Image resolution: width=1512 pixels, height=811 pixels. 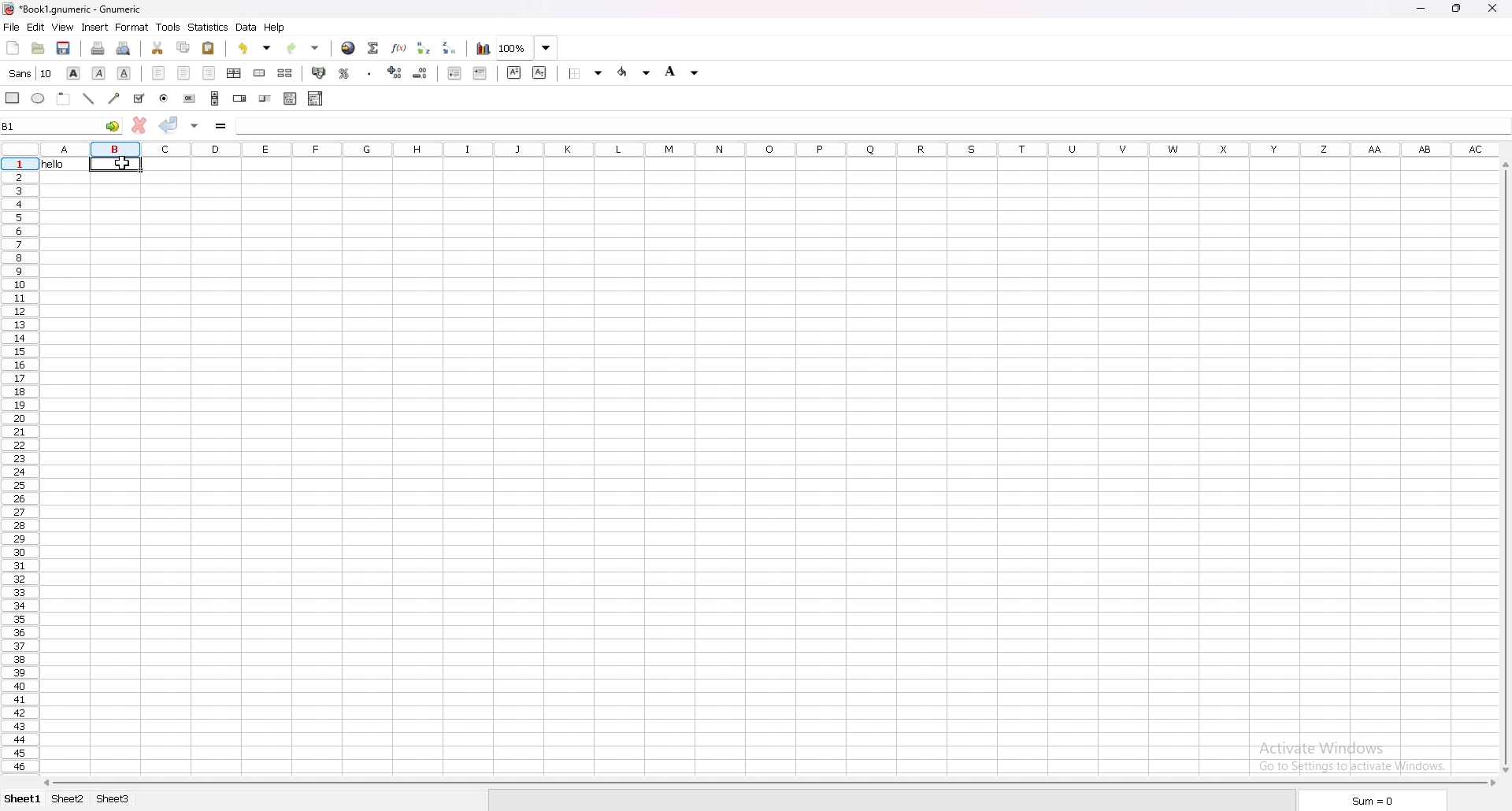 What do you see at coordinates (306, 46) in the screenshot?
I see `redo` at bounding box center [306, 46].